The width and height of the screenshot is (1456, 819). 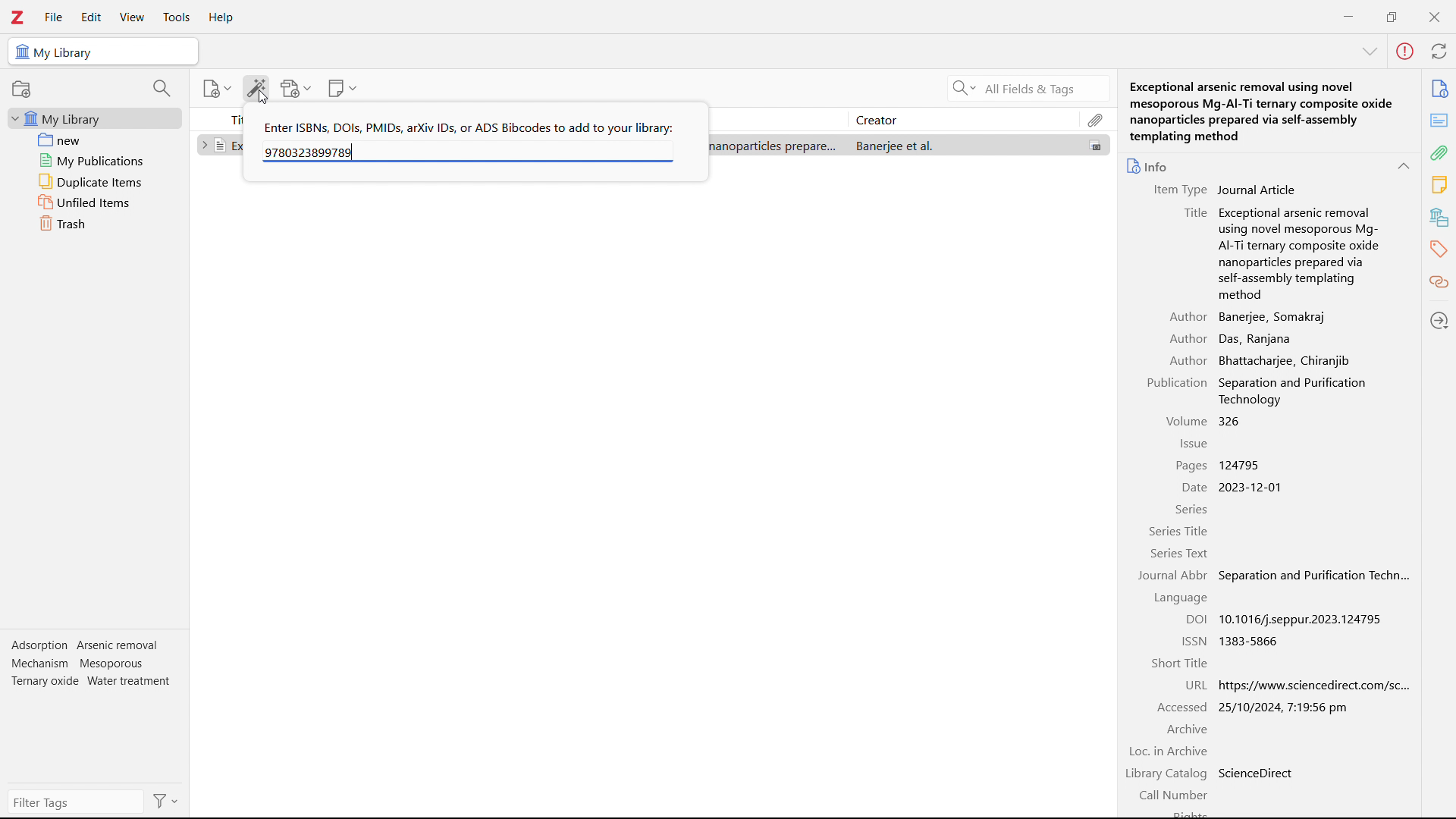 I want to click on minimize, so click(x=1348, y=15).